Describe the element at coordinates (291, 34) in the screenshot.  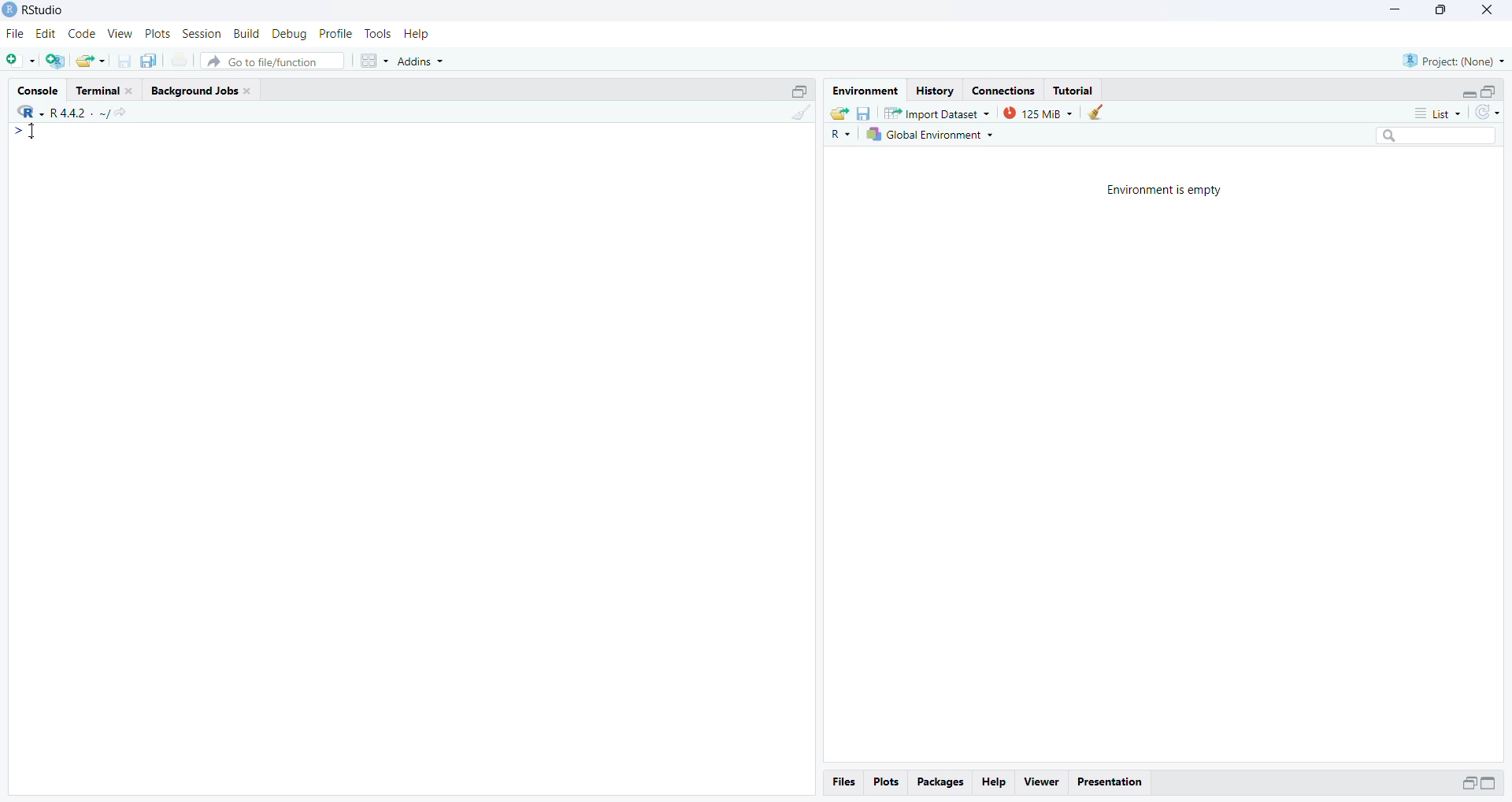
I see `Debug` at that location.